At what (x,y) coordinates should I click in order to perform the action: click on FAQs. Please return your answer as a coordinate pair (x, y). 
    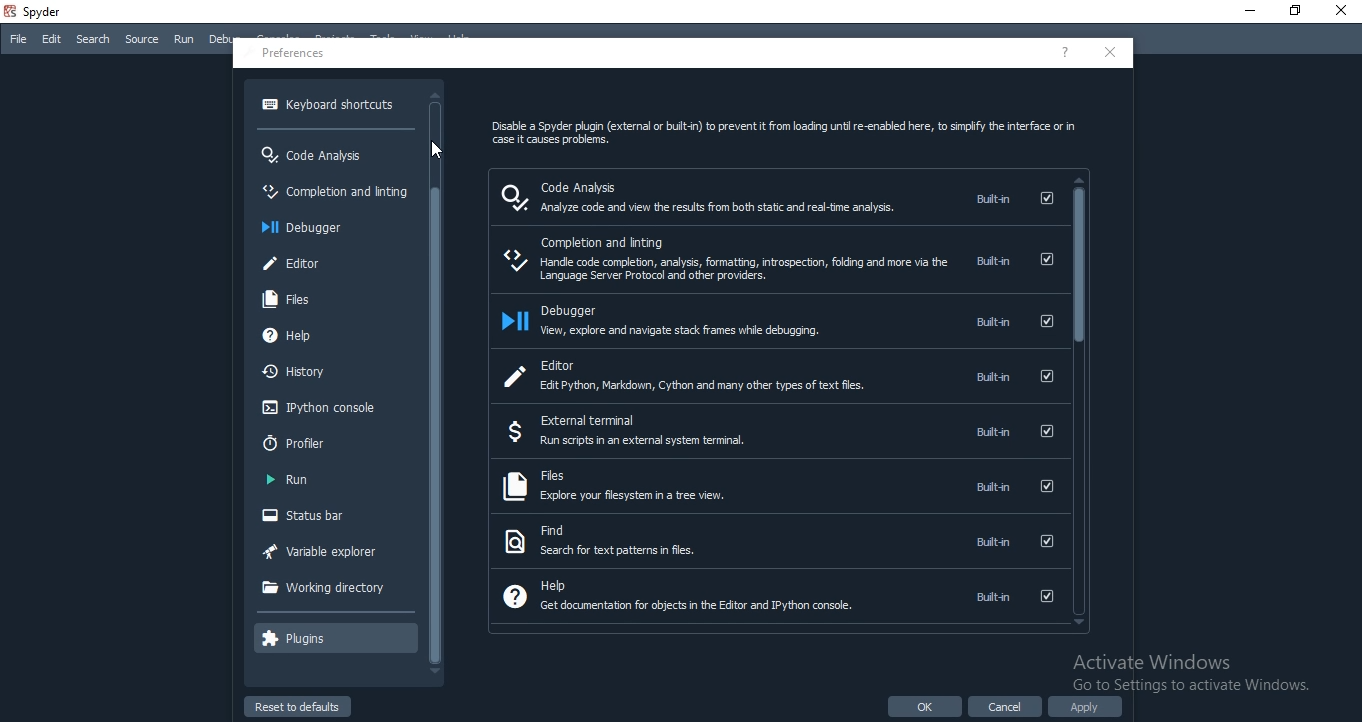
    Looking at the image, I should click on (1069, 54).